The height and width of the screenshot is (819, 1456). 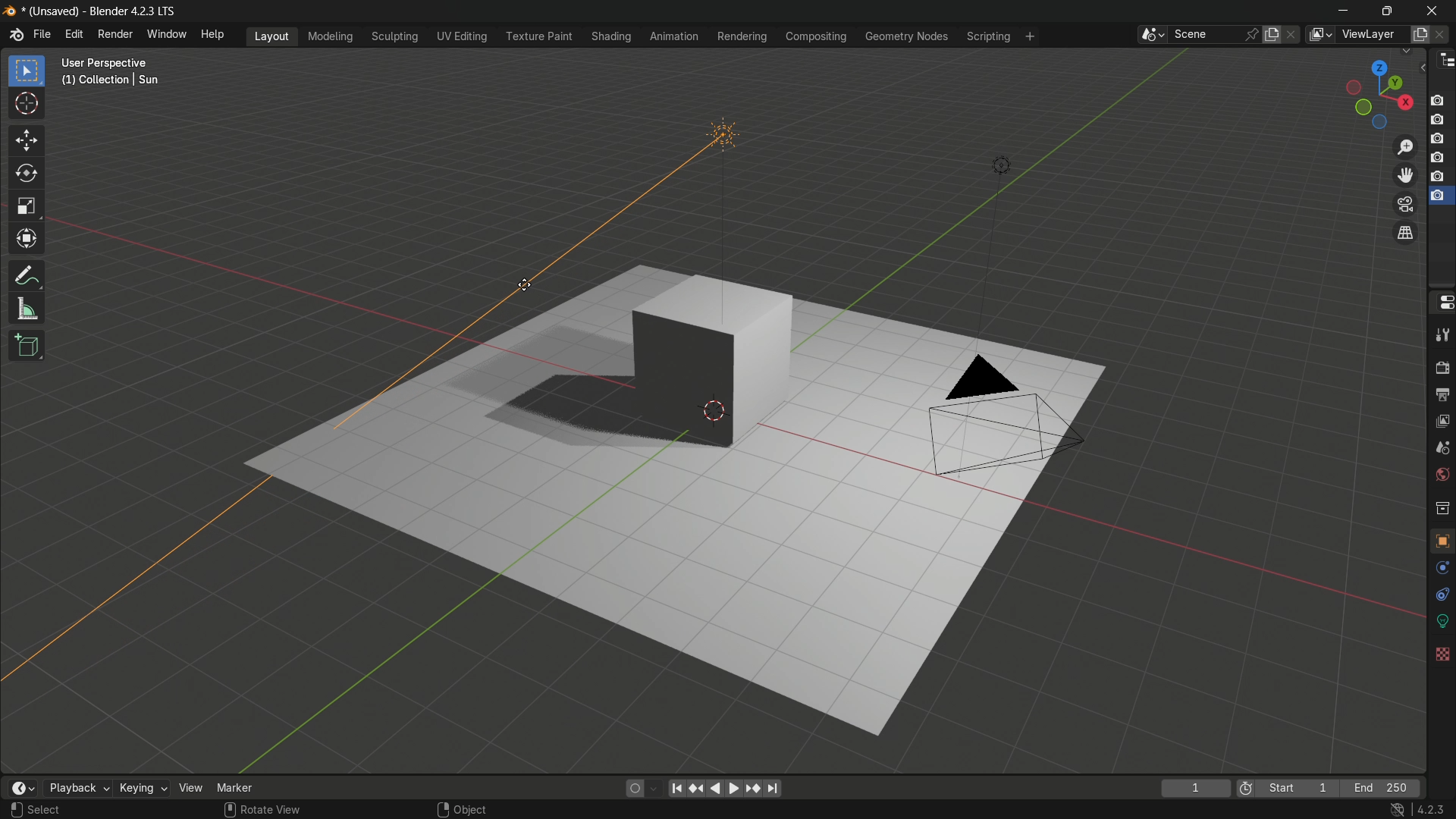 What do you see at coordinates (28, 277) in the screenshot?
I see `annotate` at bounding box center [28, 277].